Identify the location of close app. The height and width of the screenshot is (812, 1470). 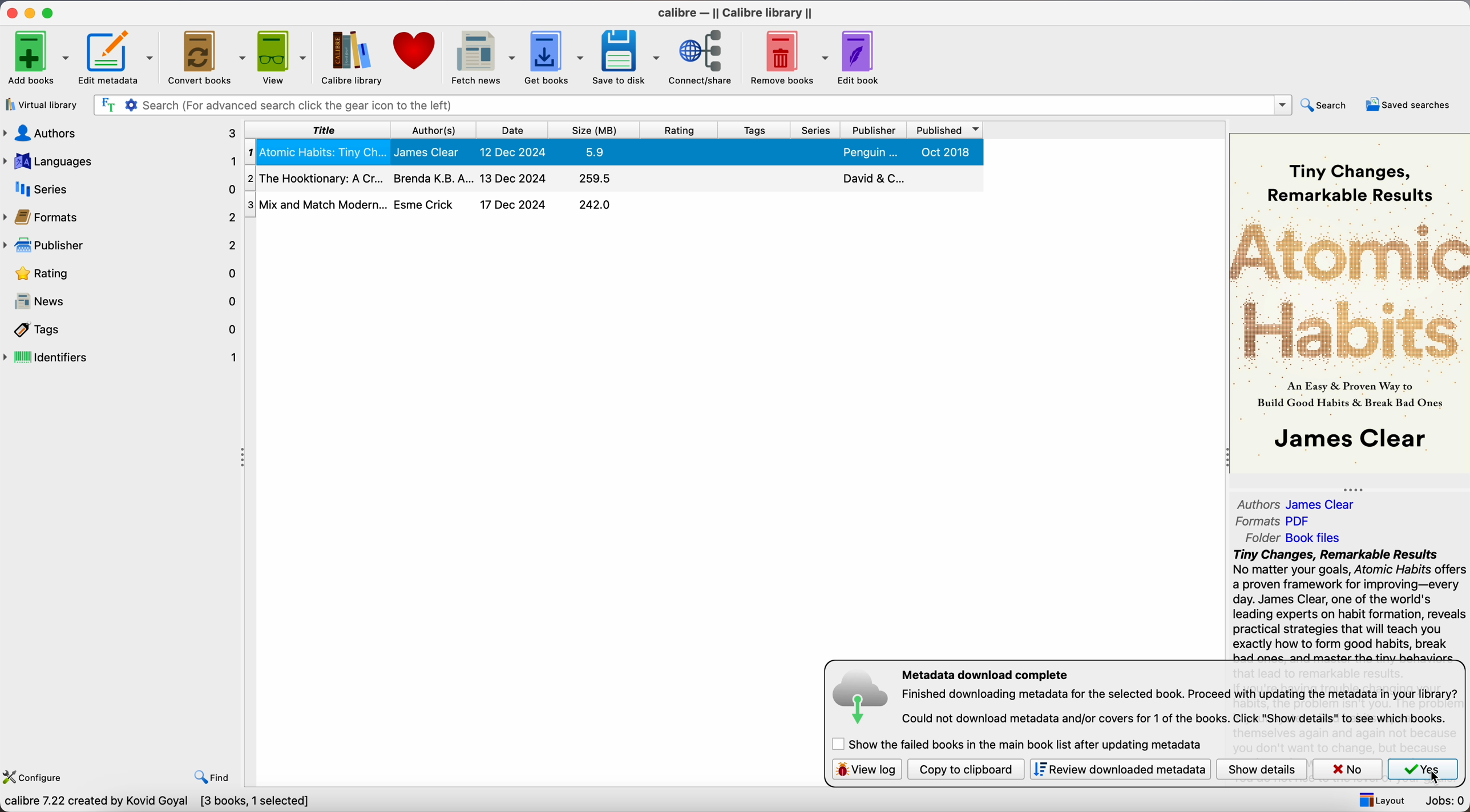
(12, 13).